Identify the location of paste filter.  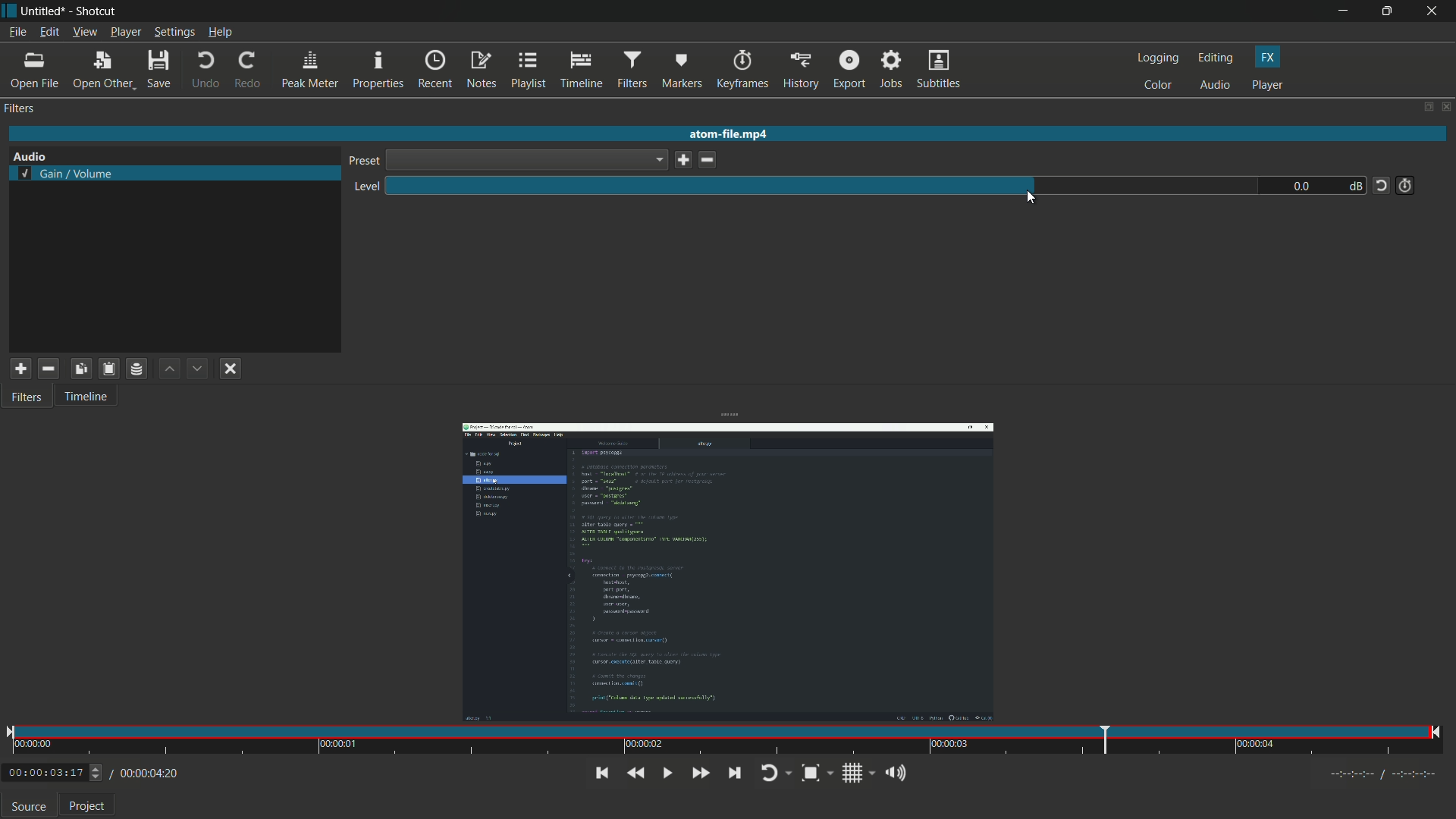
(110, 369).